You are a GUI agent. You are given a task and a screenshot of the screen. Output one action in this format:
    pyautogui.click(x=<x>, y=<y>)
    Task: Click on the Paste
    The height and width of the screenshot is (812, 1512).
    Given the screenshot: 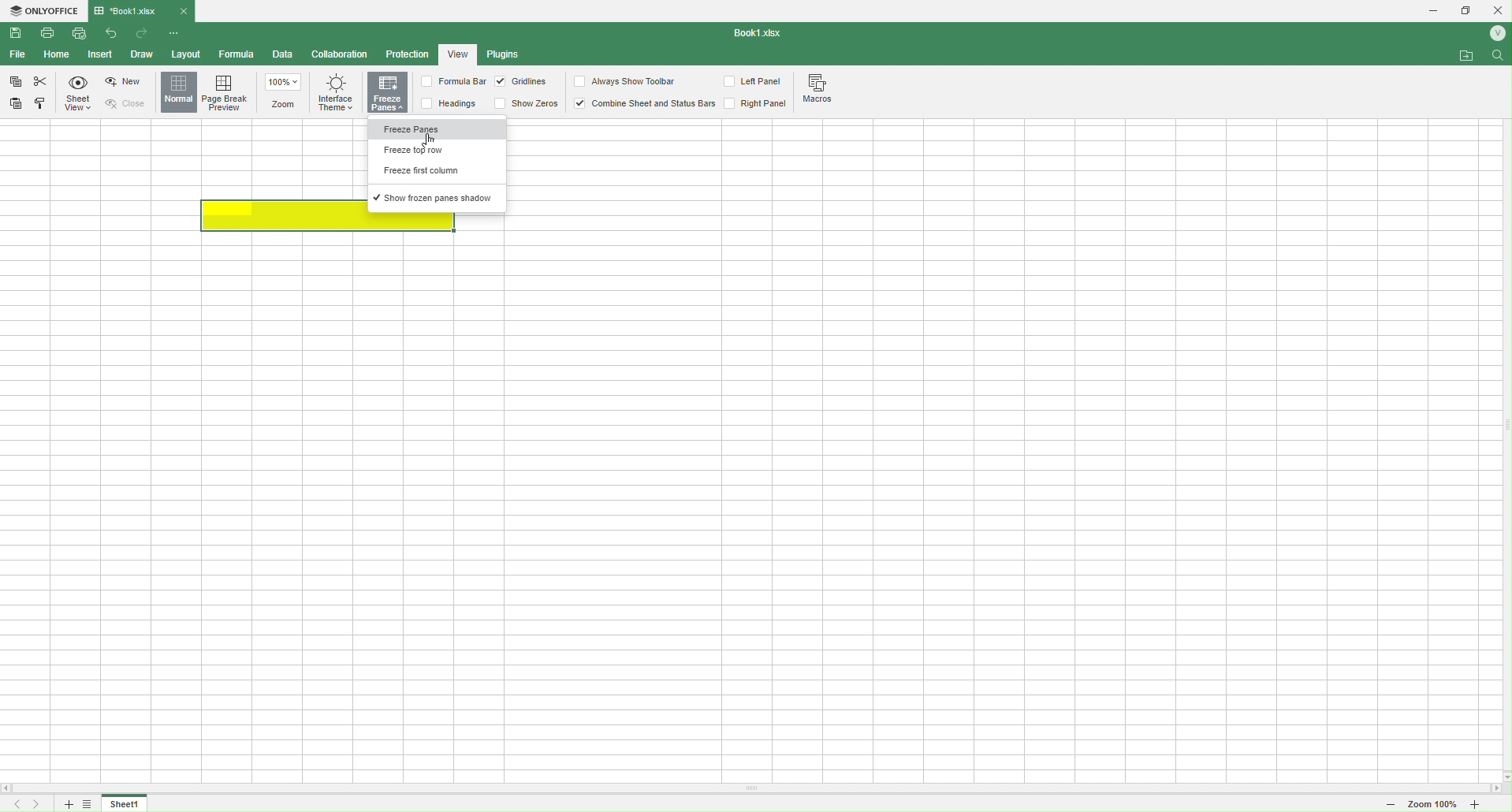 What is the action you would take?
    pyautogui.click(x=18, y=102)
    